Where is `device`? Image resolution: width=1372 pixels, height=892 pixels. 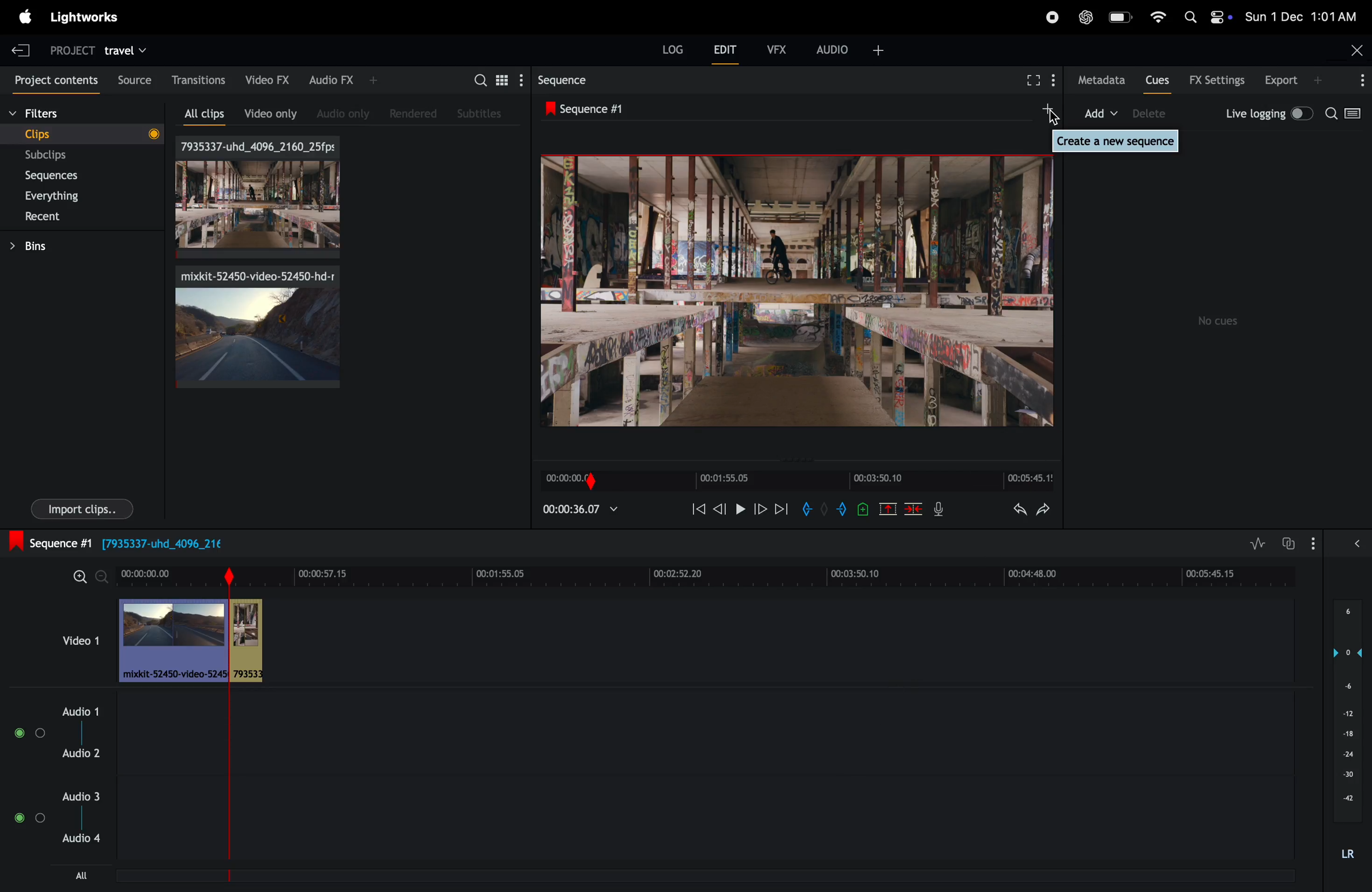 device is located at coordinates (1151, 112).